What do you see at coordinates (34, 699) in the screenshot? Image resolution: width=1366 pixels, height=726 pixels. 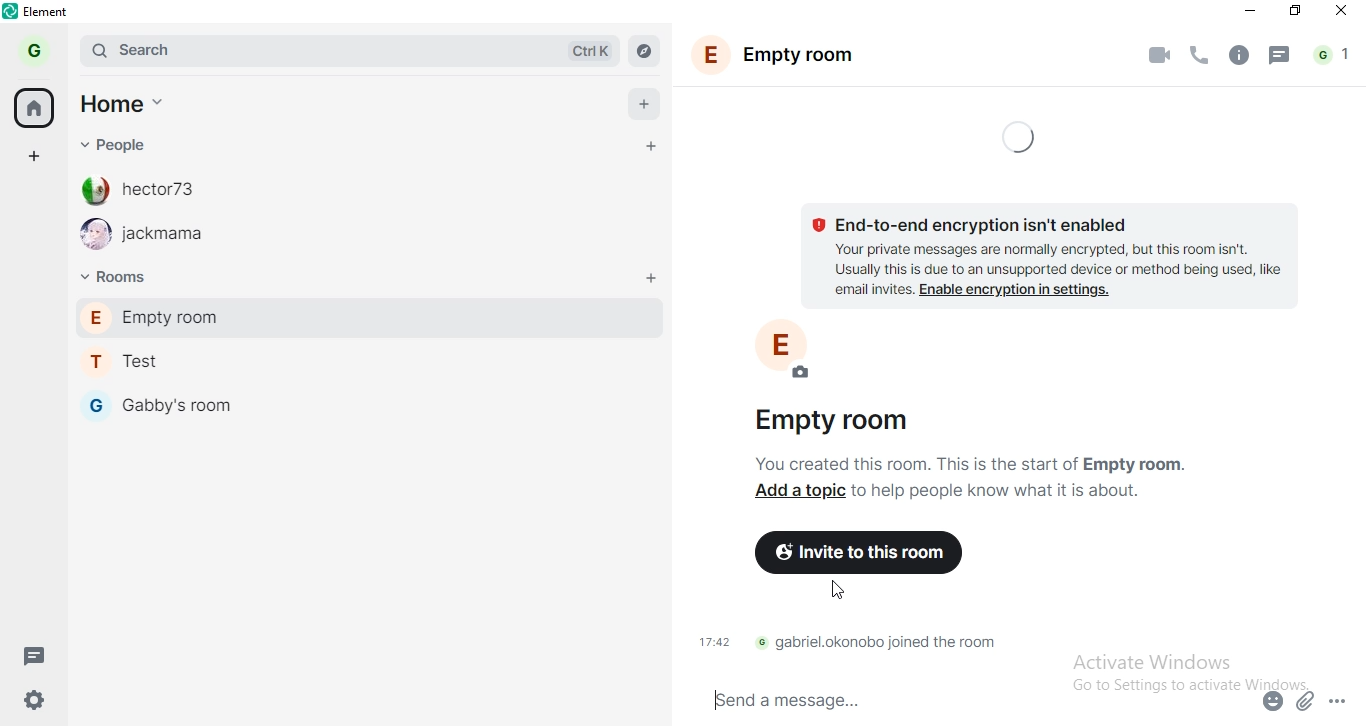 I see `settings` at bounding box center [34, 699].